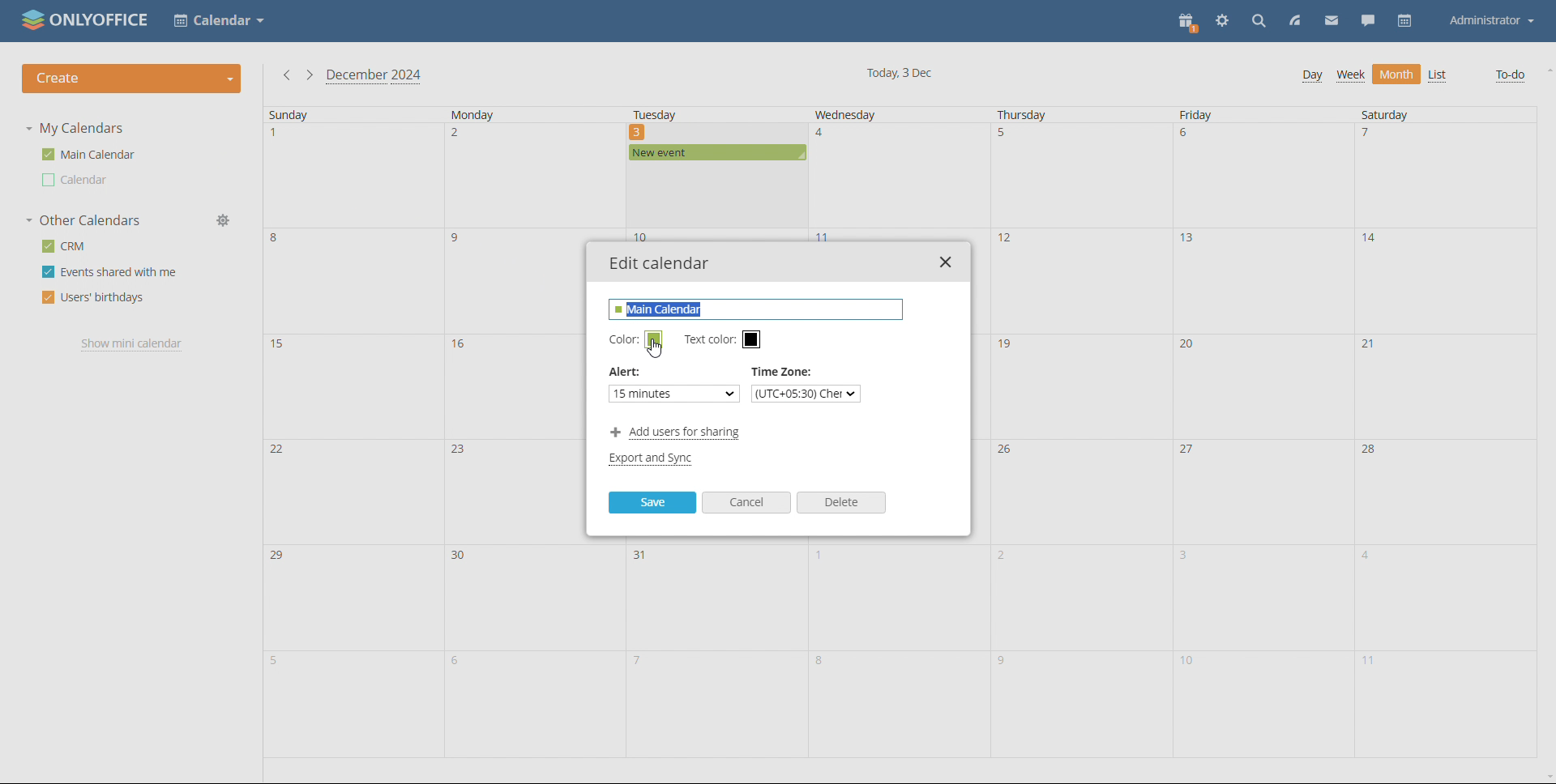 The width and height of the screenshot is (1556, 784). I want to click on date, so click(1081, 177).